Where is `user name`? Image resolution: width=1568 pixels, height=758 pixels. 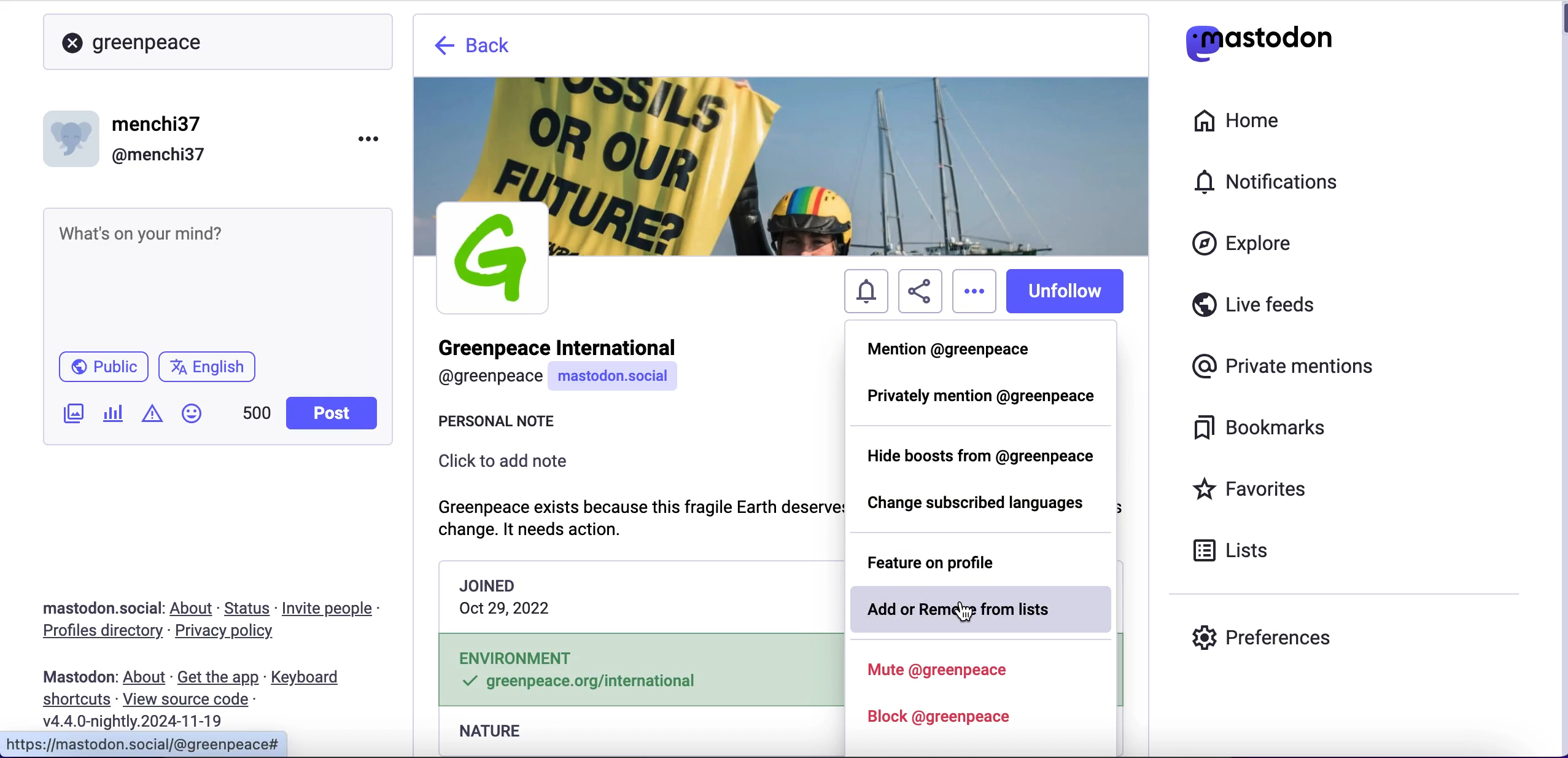
user name is located at coordinates (128, 138).